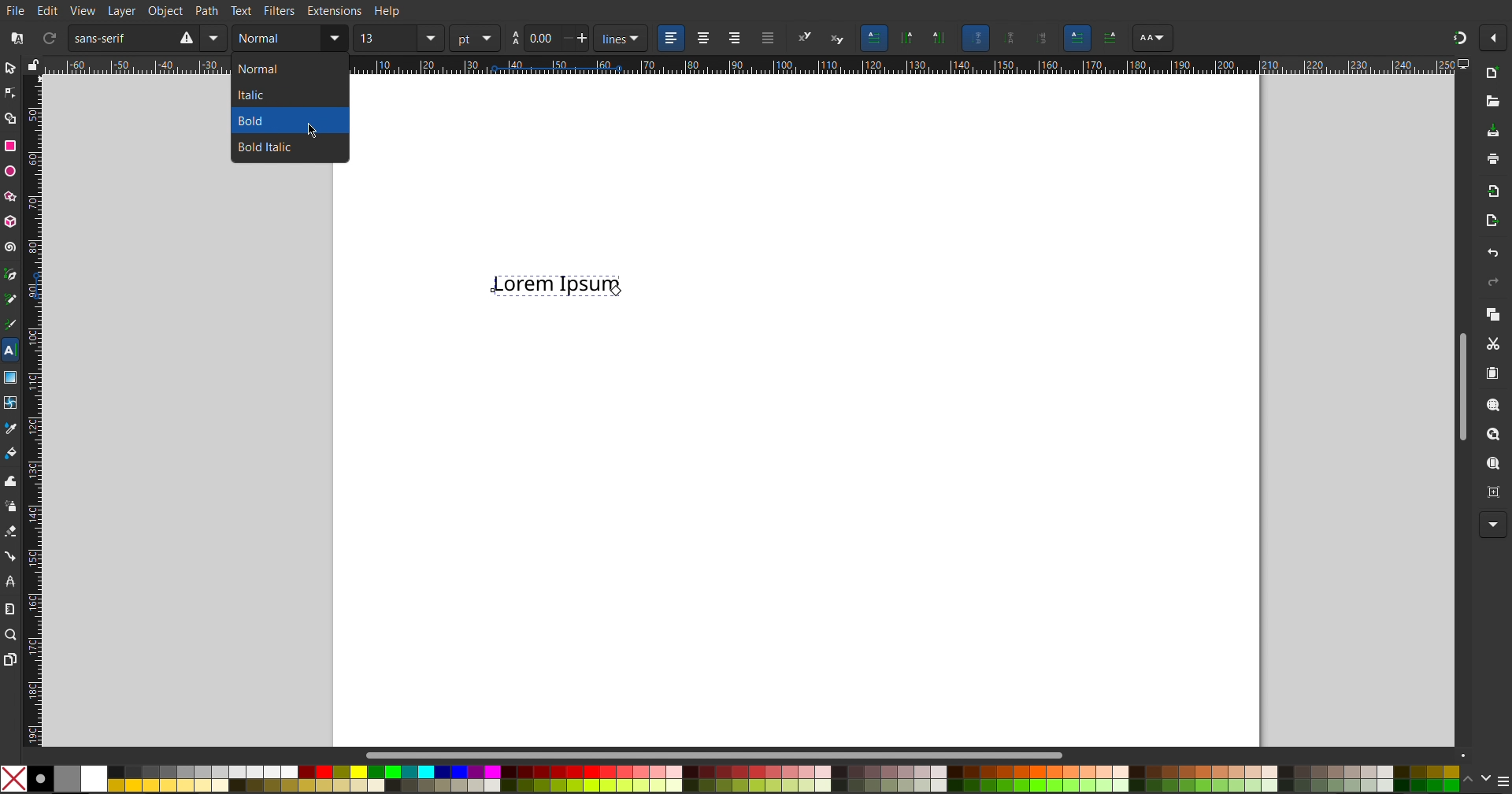 The width and height of the screenshot is (1512, 794). What do you see at coordinates (1078, 37) in the screenshot?
I see `Left to right orientation` at bounding box center [1078, 37].